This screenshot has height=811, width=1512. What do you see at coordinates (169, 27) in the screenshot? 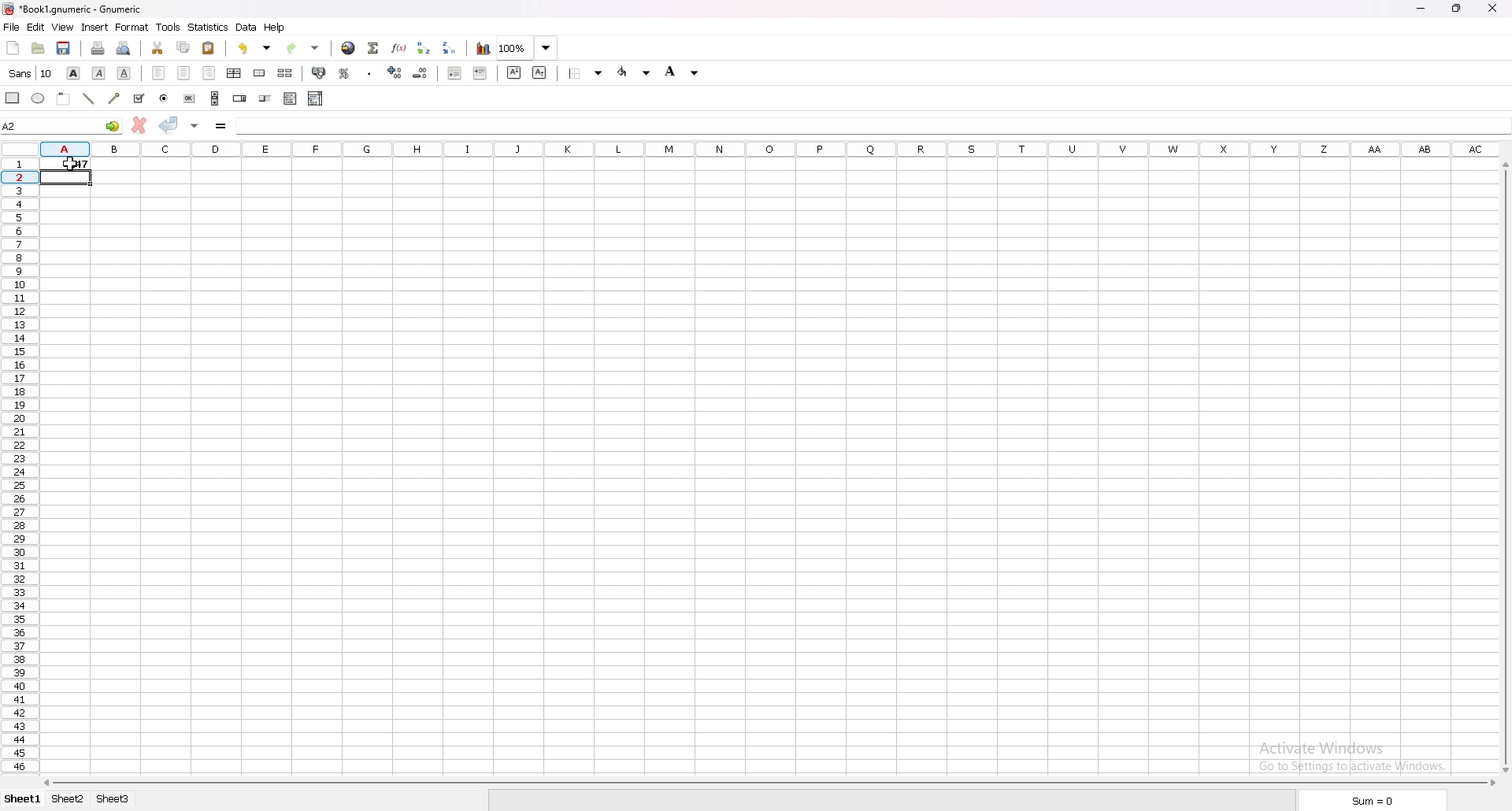
I see `tools` at bounding box center [169, 27].